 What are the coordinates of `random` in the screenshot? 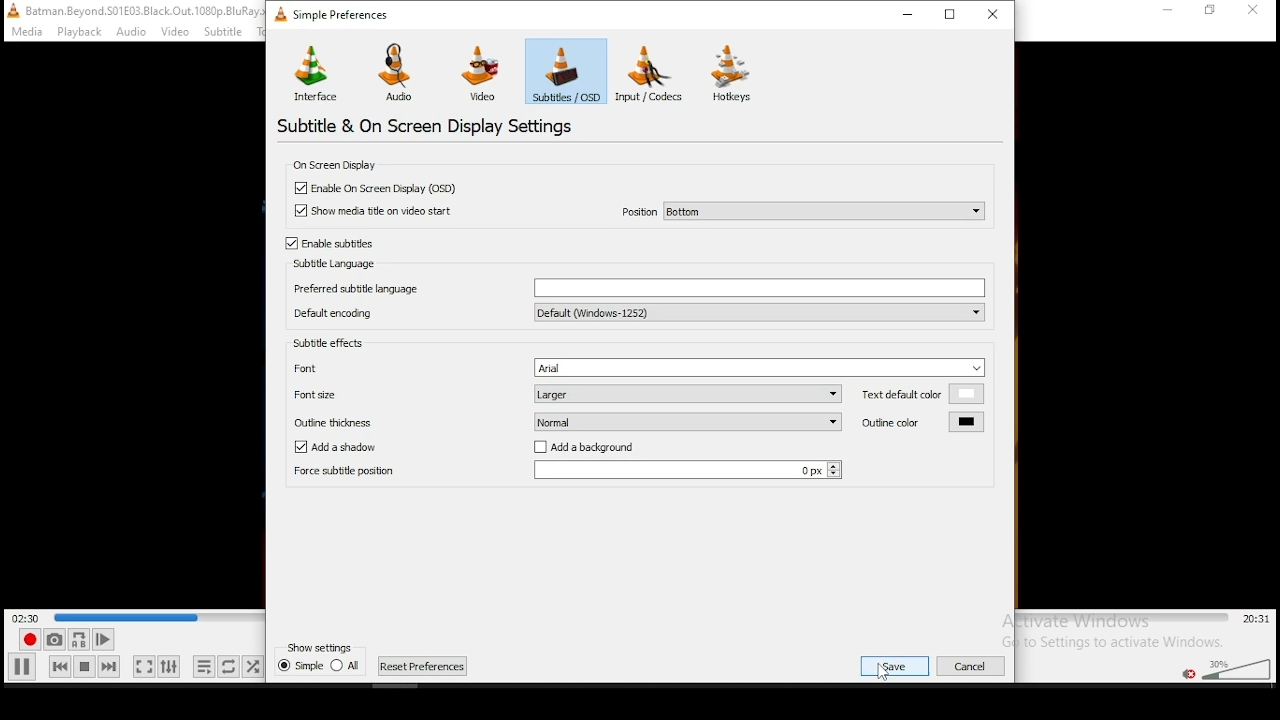 It's located at (253, 667).